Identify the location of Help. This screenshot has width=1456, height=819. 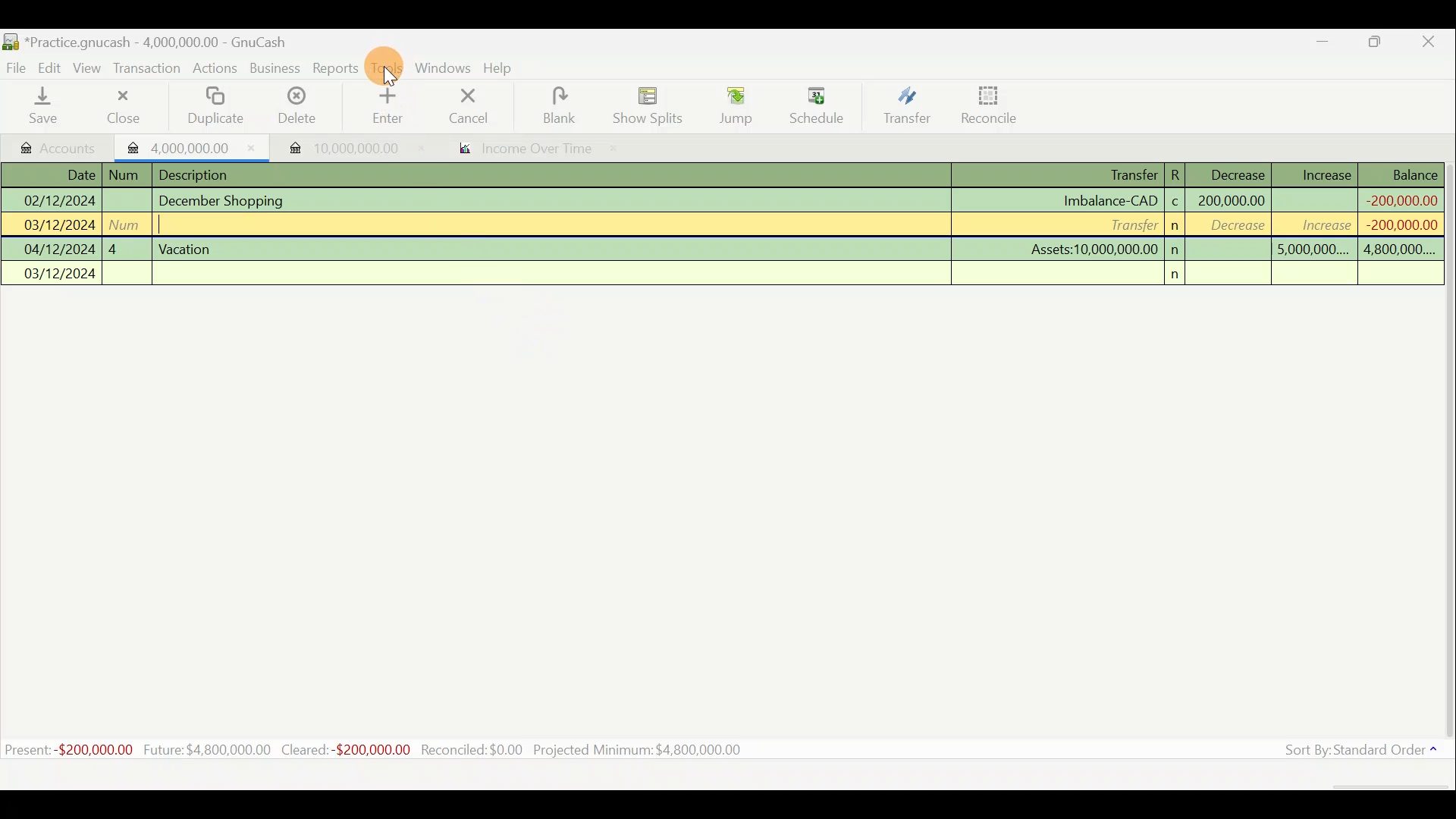
(504, 70).